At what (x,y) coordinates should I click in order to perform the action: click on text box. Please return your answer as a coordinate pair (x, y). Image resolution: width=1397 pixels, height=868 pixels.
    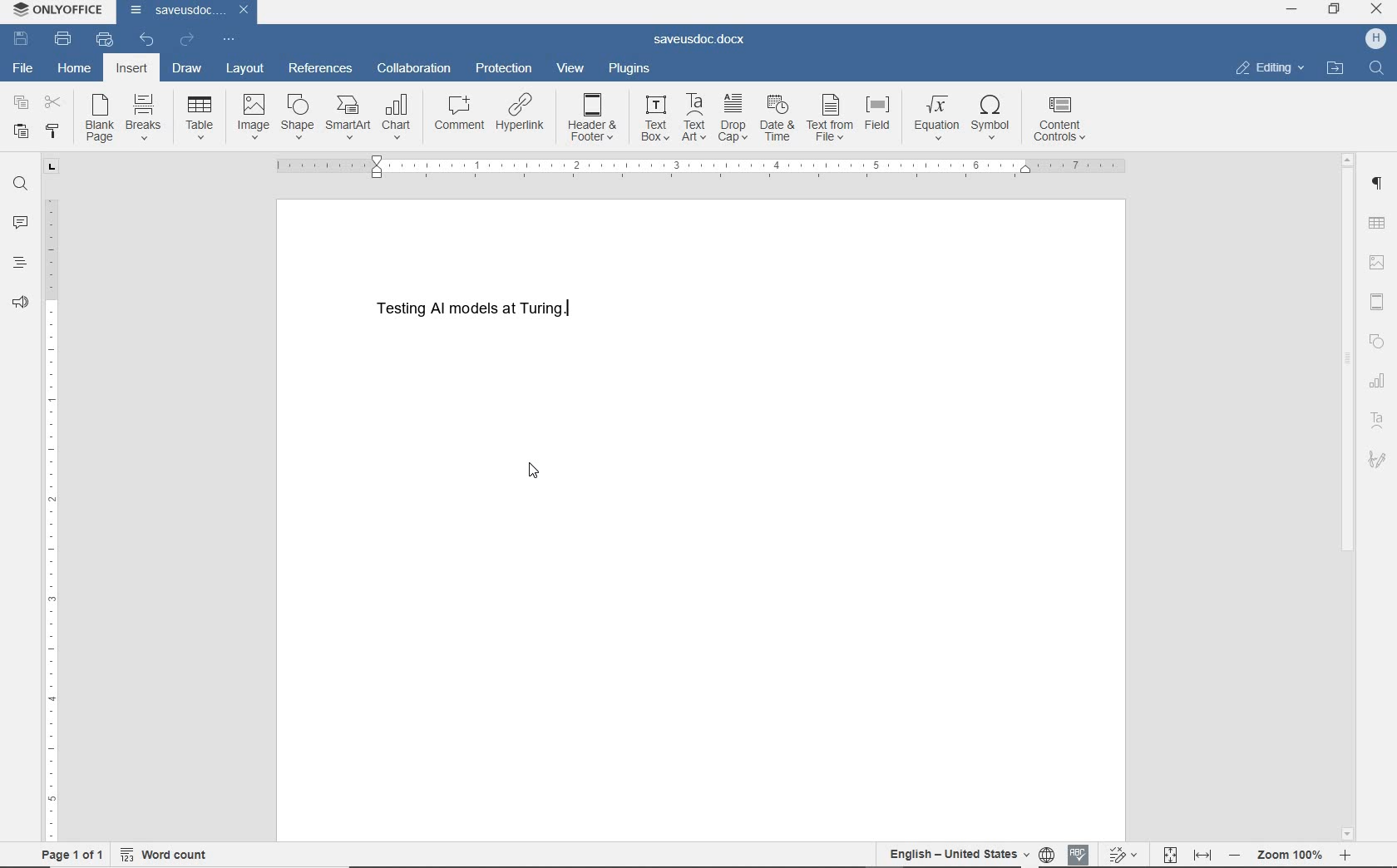
    Looking at the image, I should click on (655, 121).